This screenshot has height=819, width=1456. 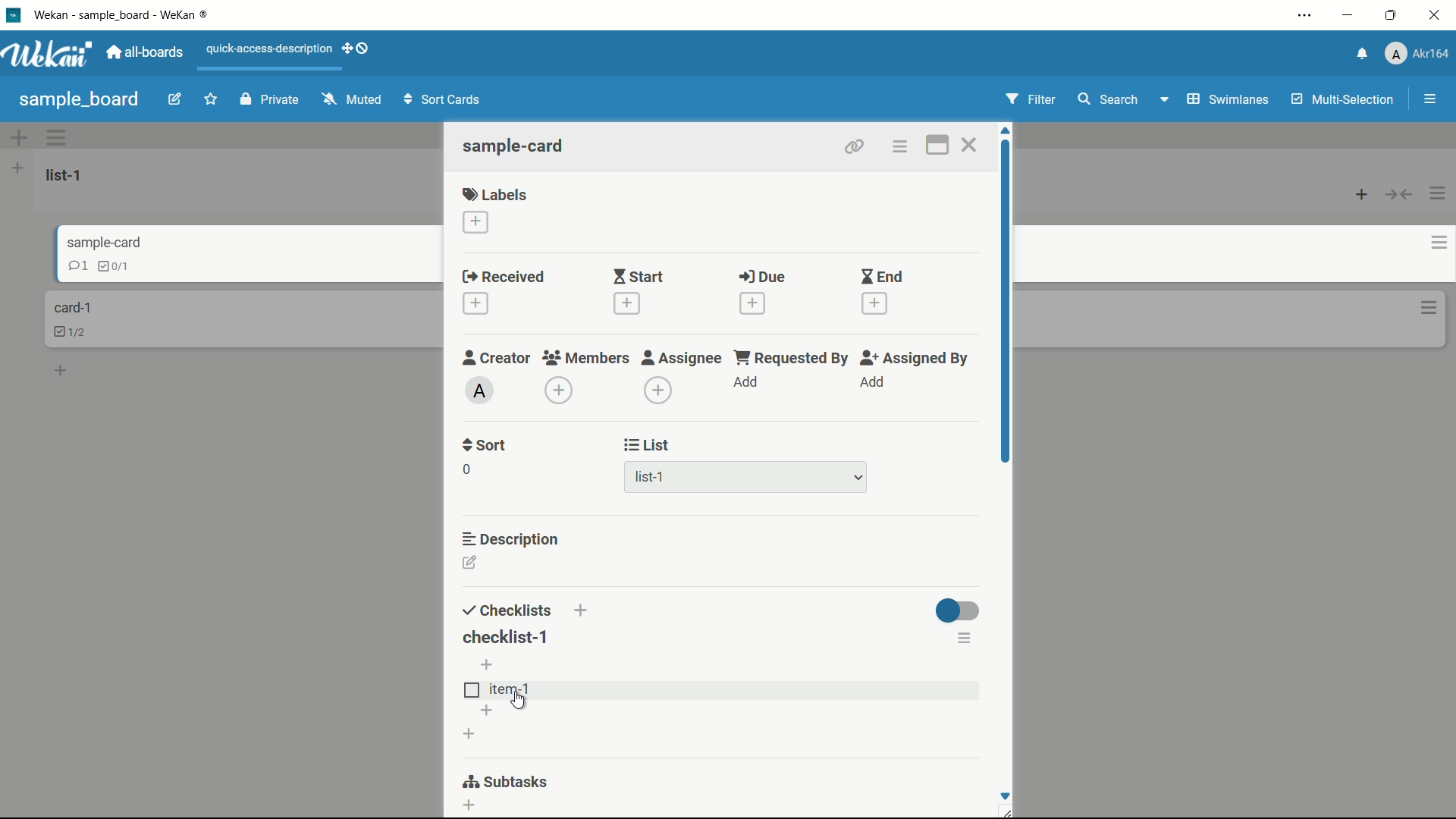 I want to click on open or close sidebar, so click(x=1429, y=99).